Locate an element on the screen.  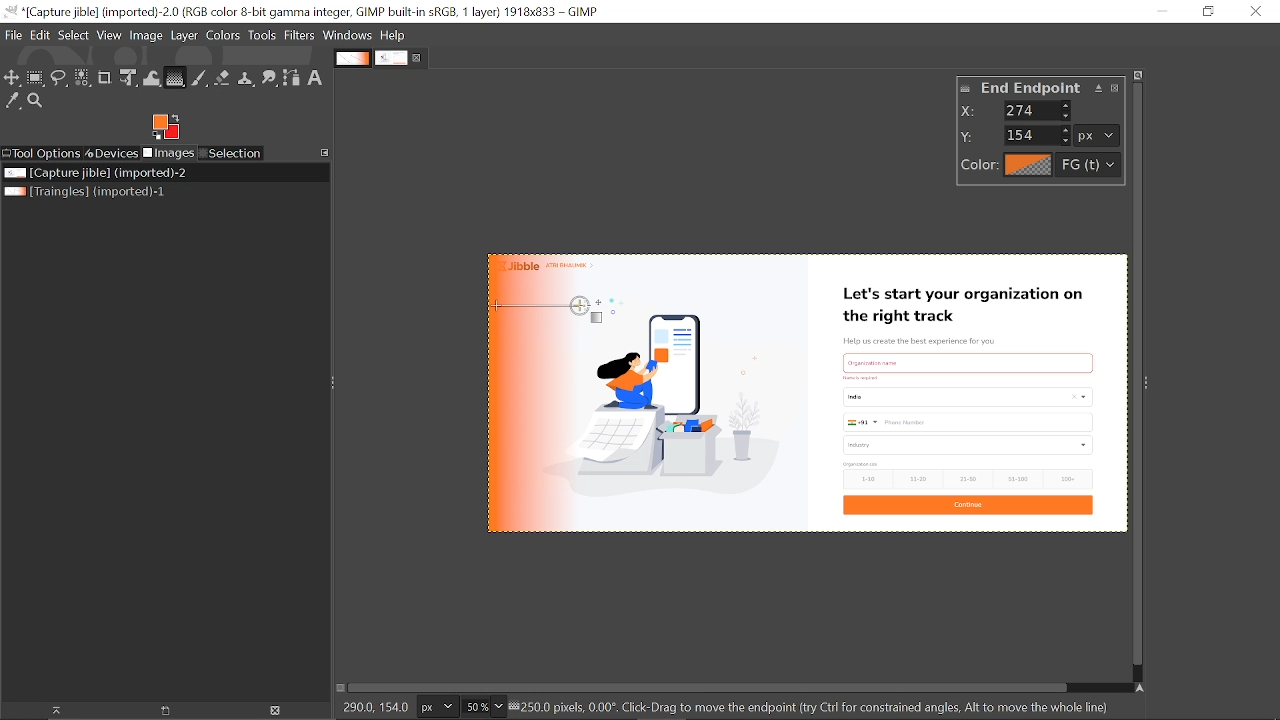
Configure this tab is located at coordinates (325, 153).